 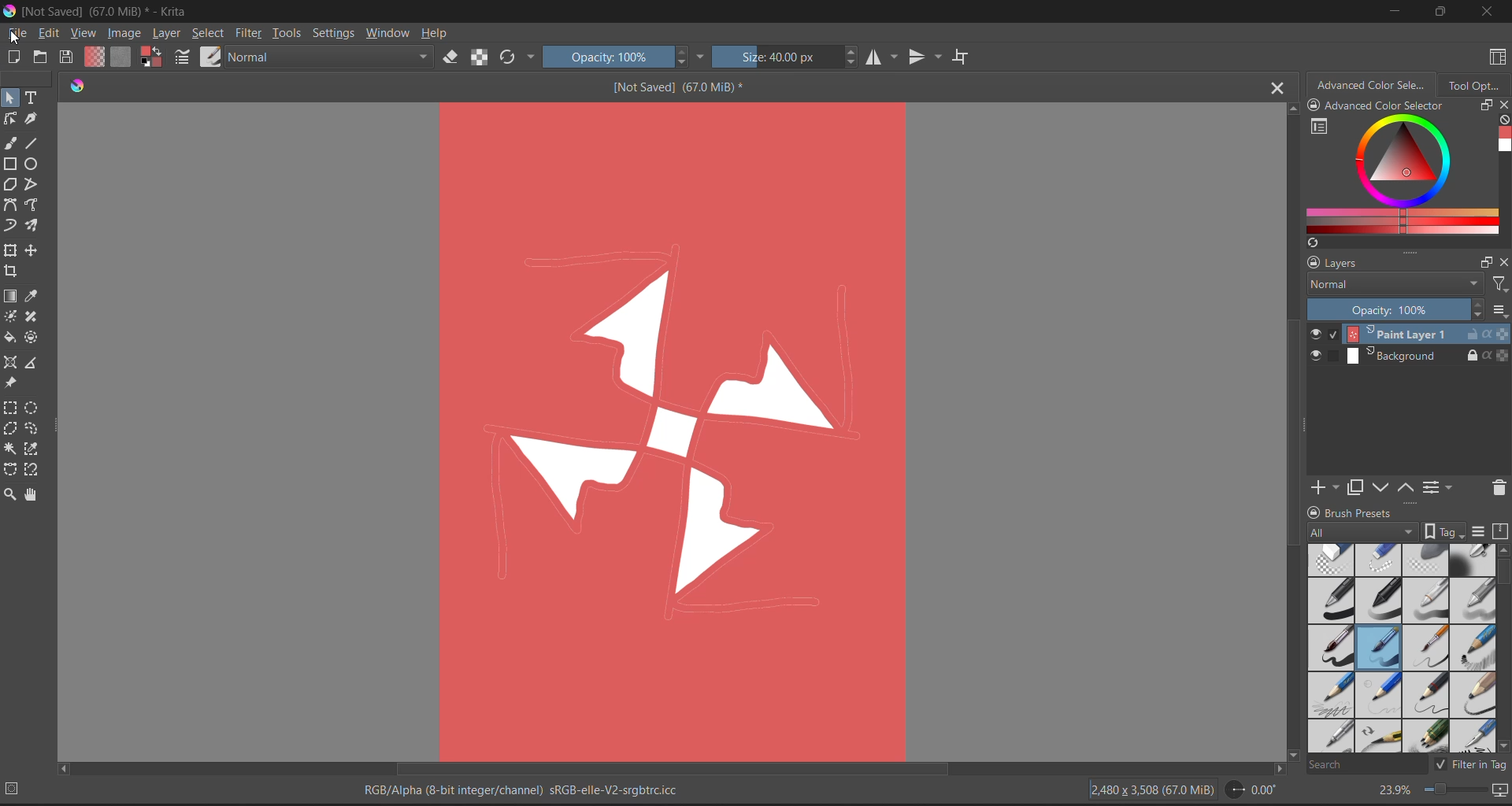 What do you see at coordinates (1155, 790) in the screenshot?
I see `image description` at bounding box center [1155, 790].